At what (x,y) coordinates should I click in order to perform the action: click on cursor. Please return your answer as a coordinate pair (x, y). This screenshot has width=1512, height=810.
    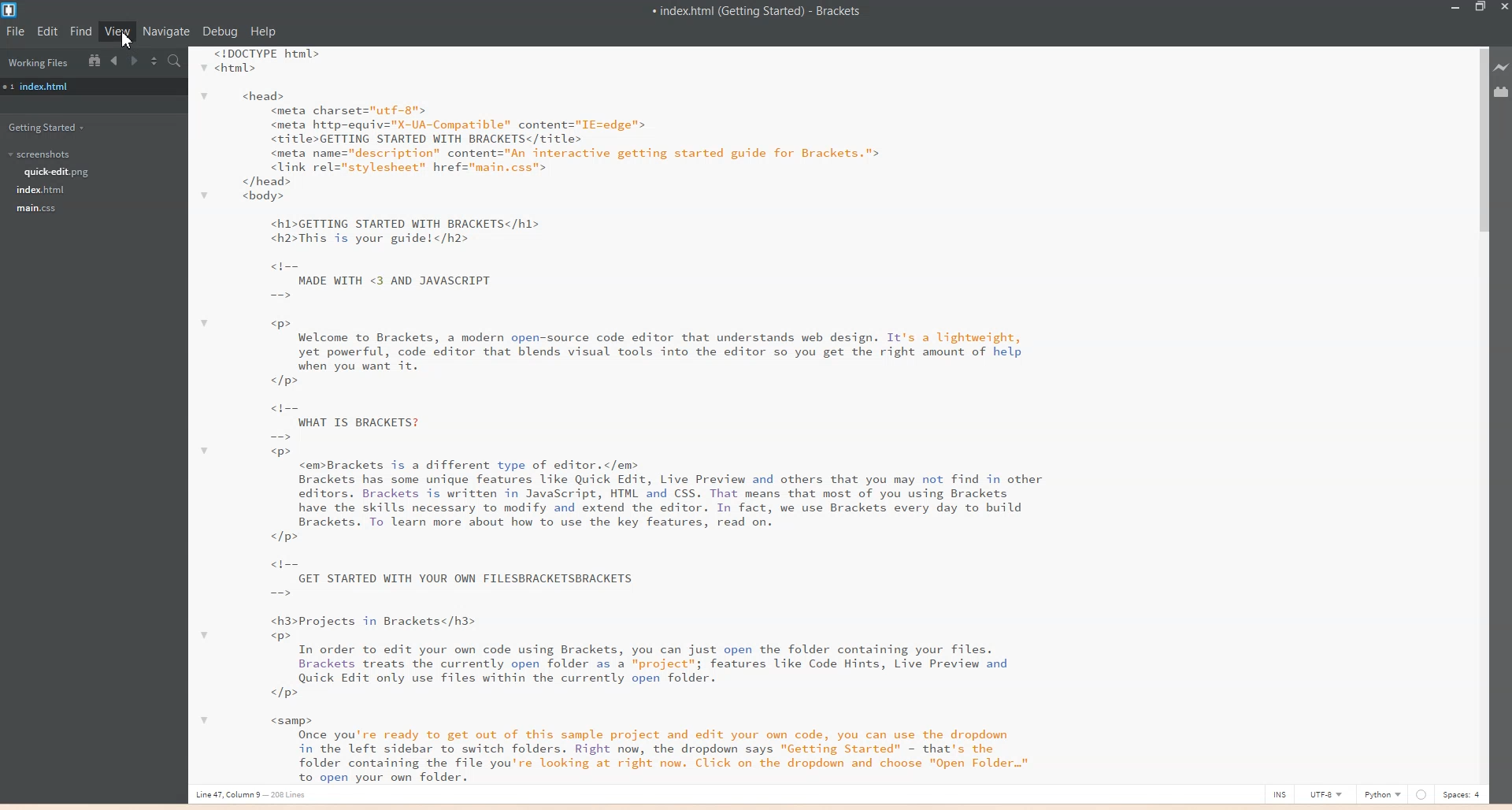
    Looking at the image, I should click on (124, 40).